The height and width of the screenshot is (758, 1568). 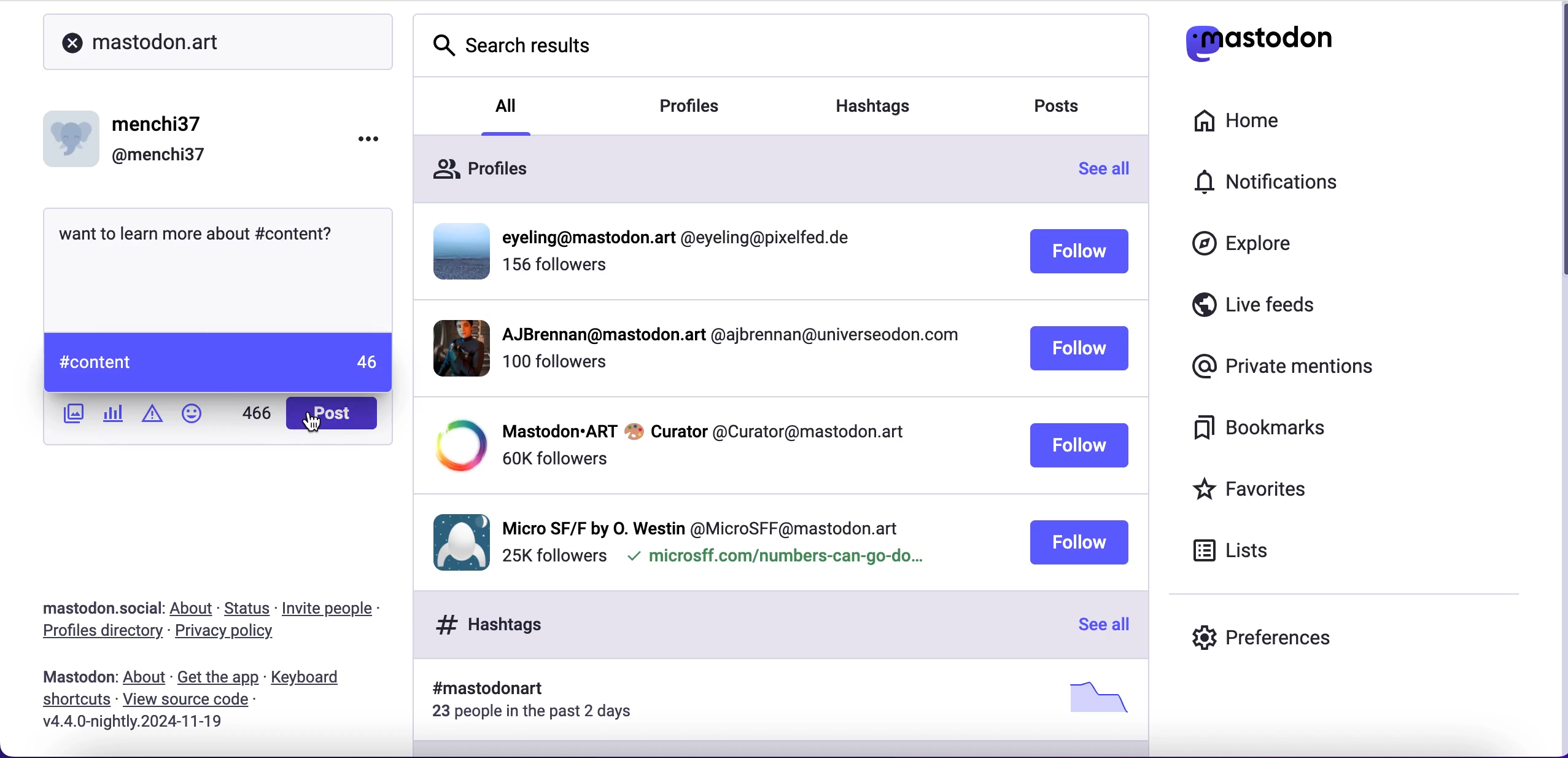 I want to click on about, so click(x=194, y=609).